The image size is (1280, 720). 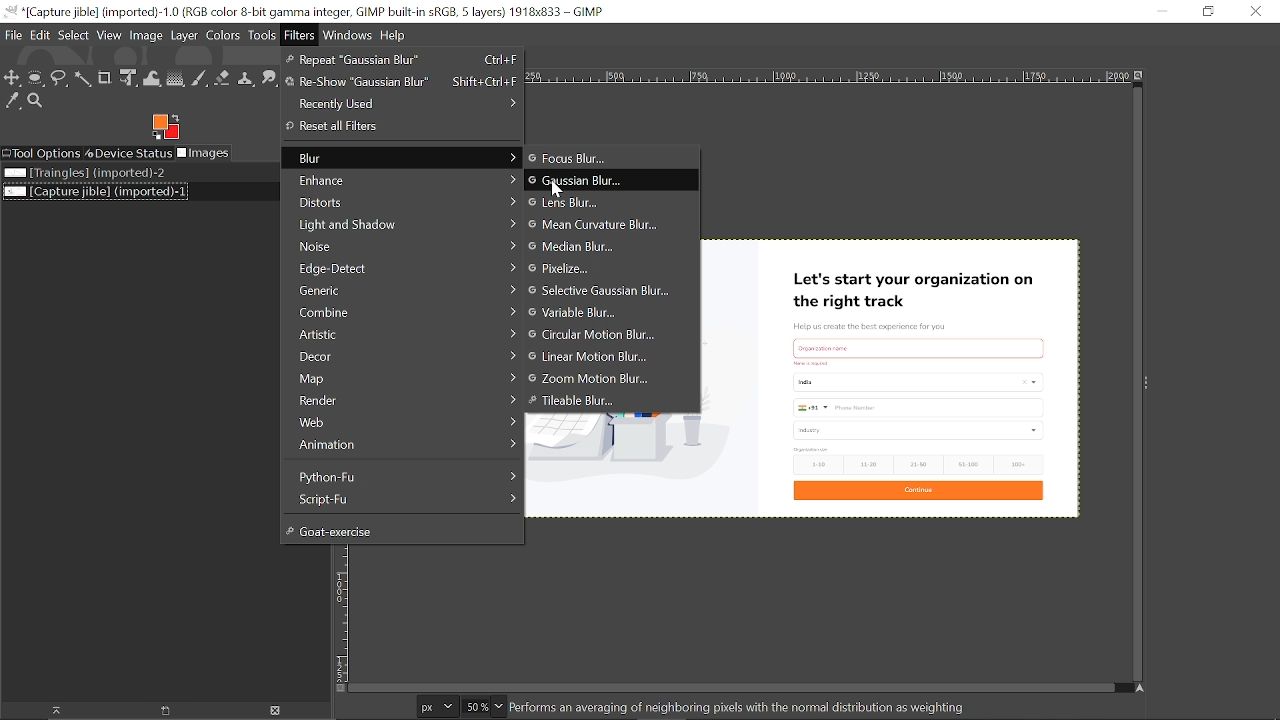 I want to click on Windows, so click(x=349, y=35).